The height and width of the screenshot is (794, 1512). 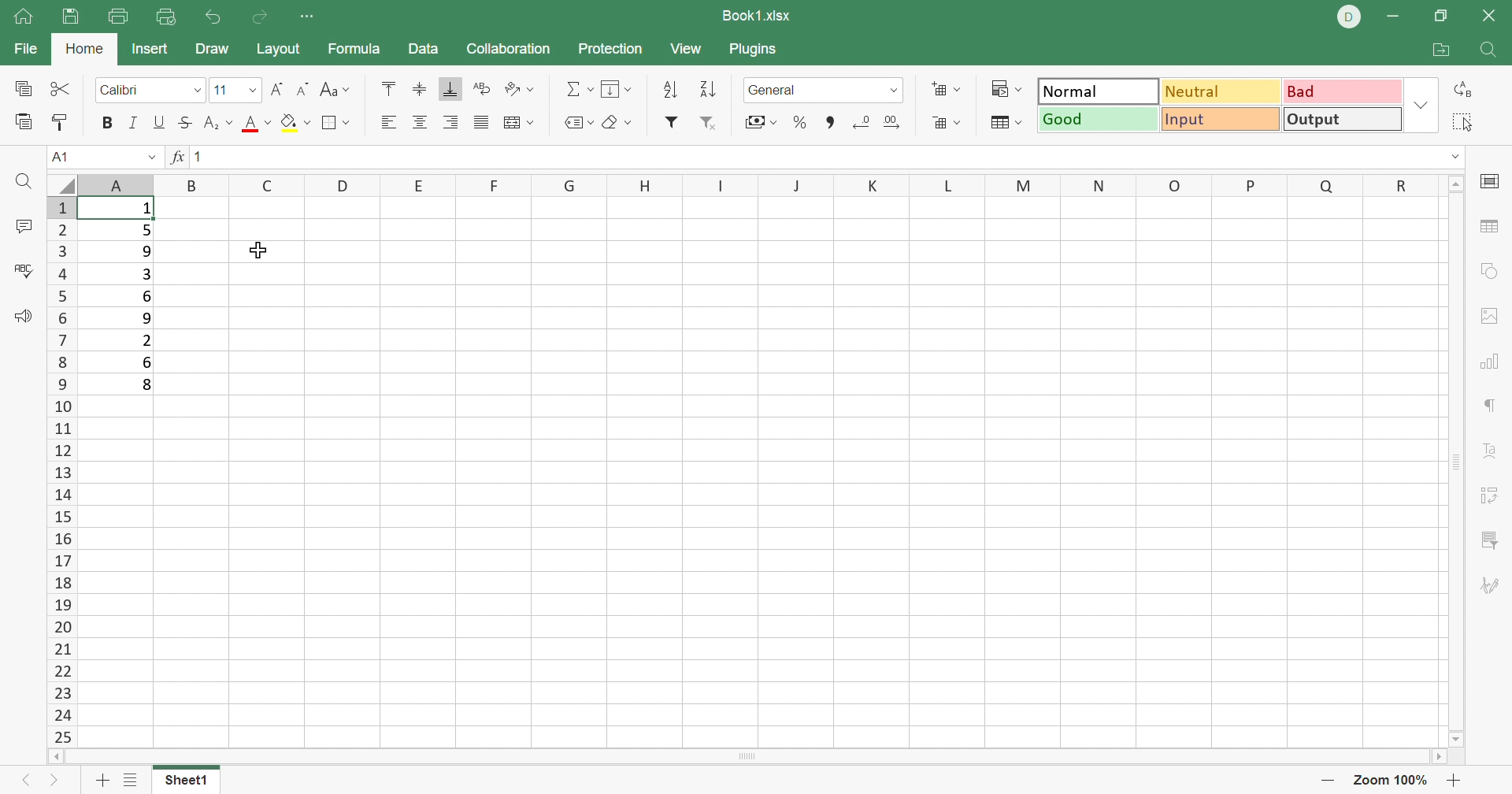 I want to click on Borders, so click(x=338, y=123).